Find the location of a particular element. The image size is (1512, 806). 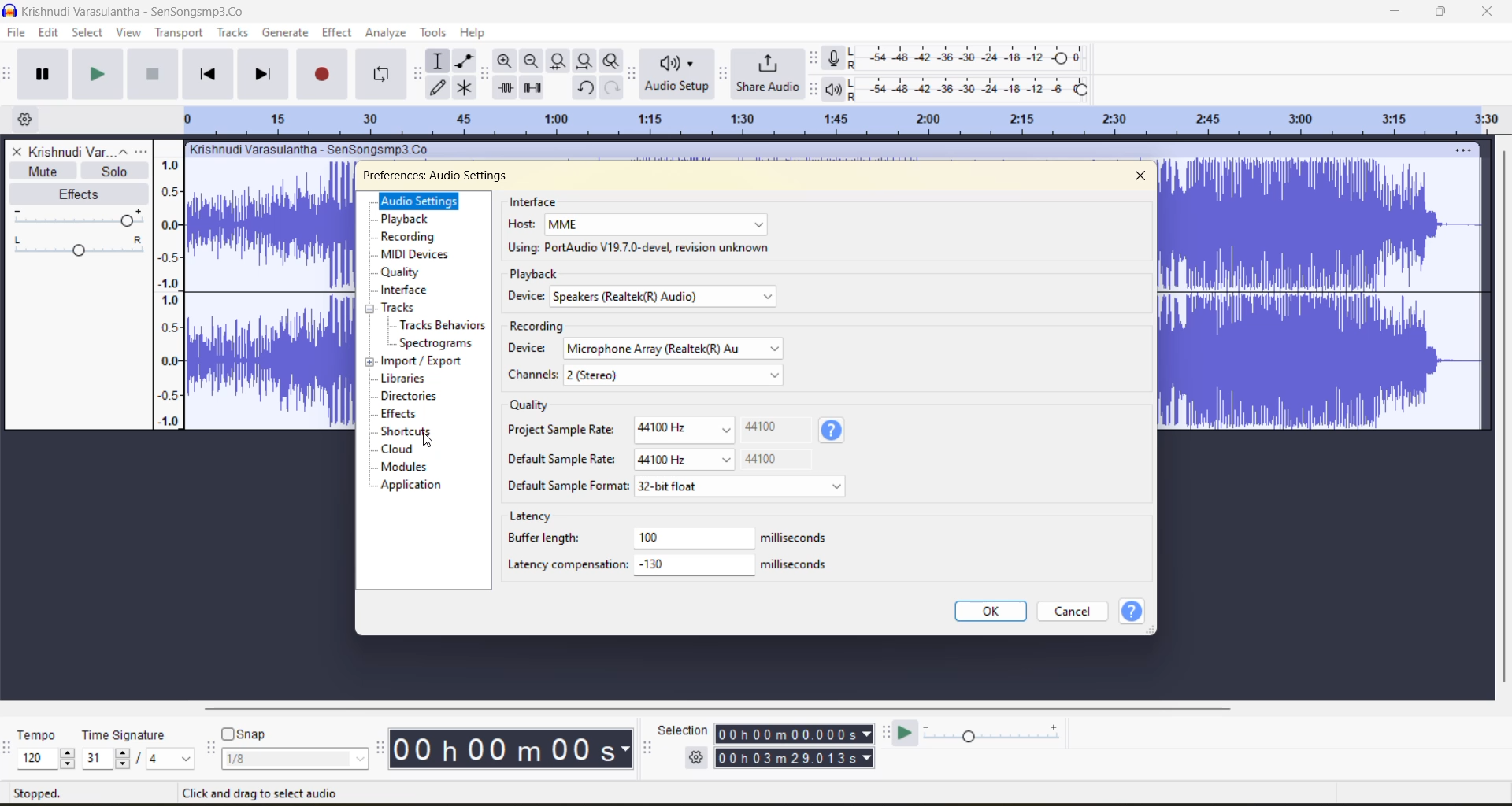

default sample rate is located at coordinates (651, 462).